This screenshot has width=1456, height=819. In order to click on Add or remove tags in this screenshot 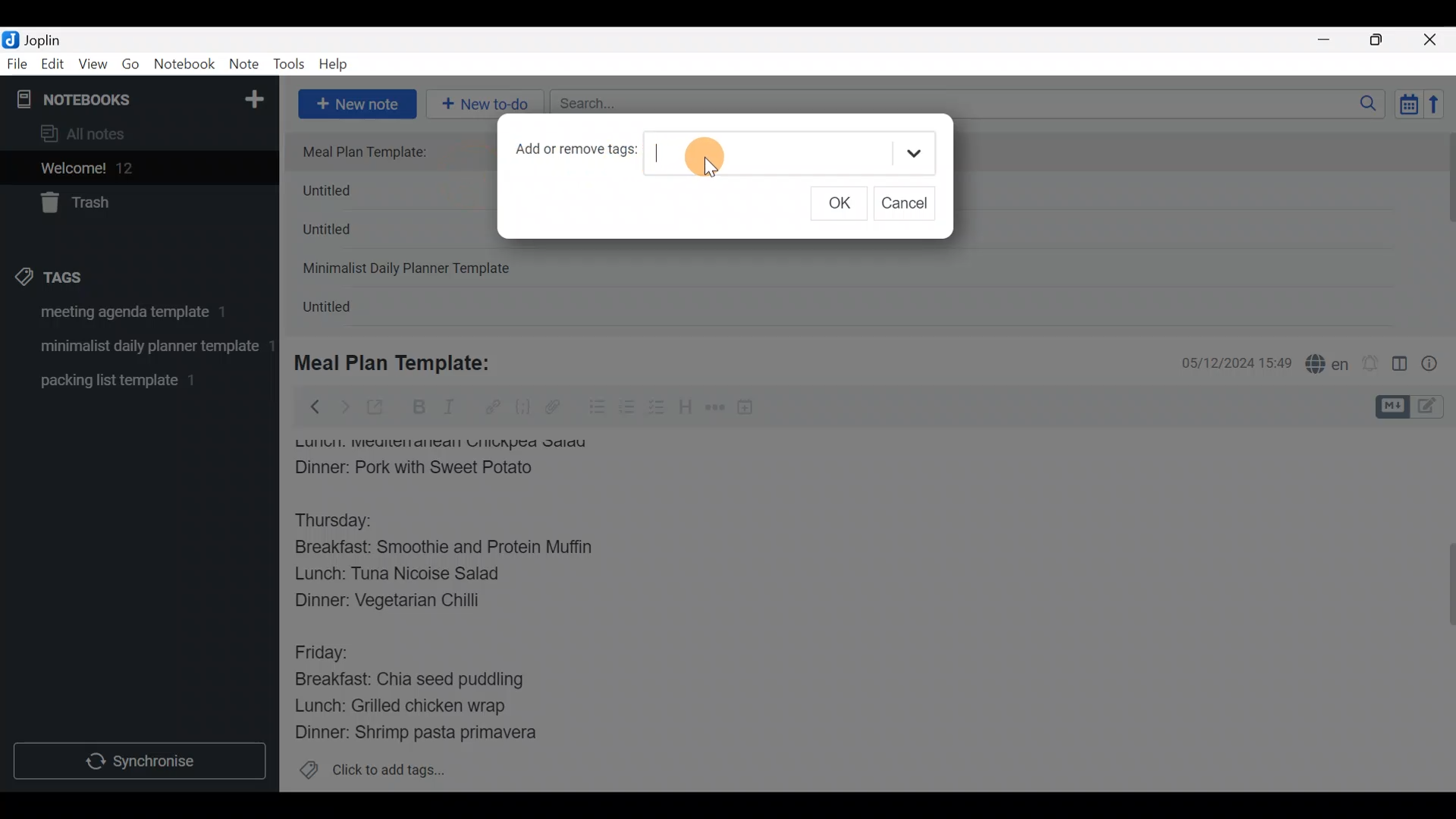, I will do `click(573, 155)`.